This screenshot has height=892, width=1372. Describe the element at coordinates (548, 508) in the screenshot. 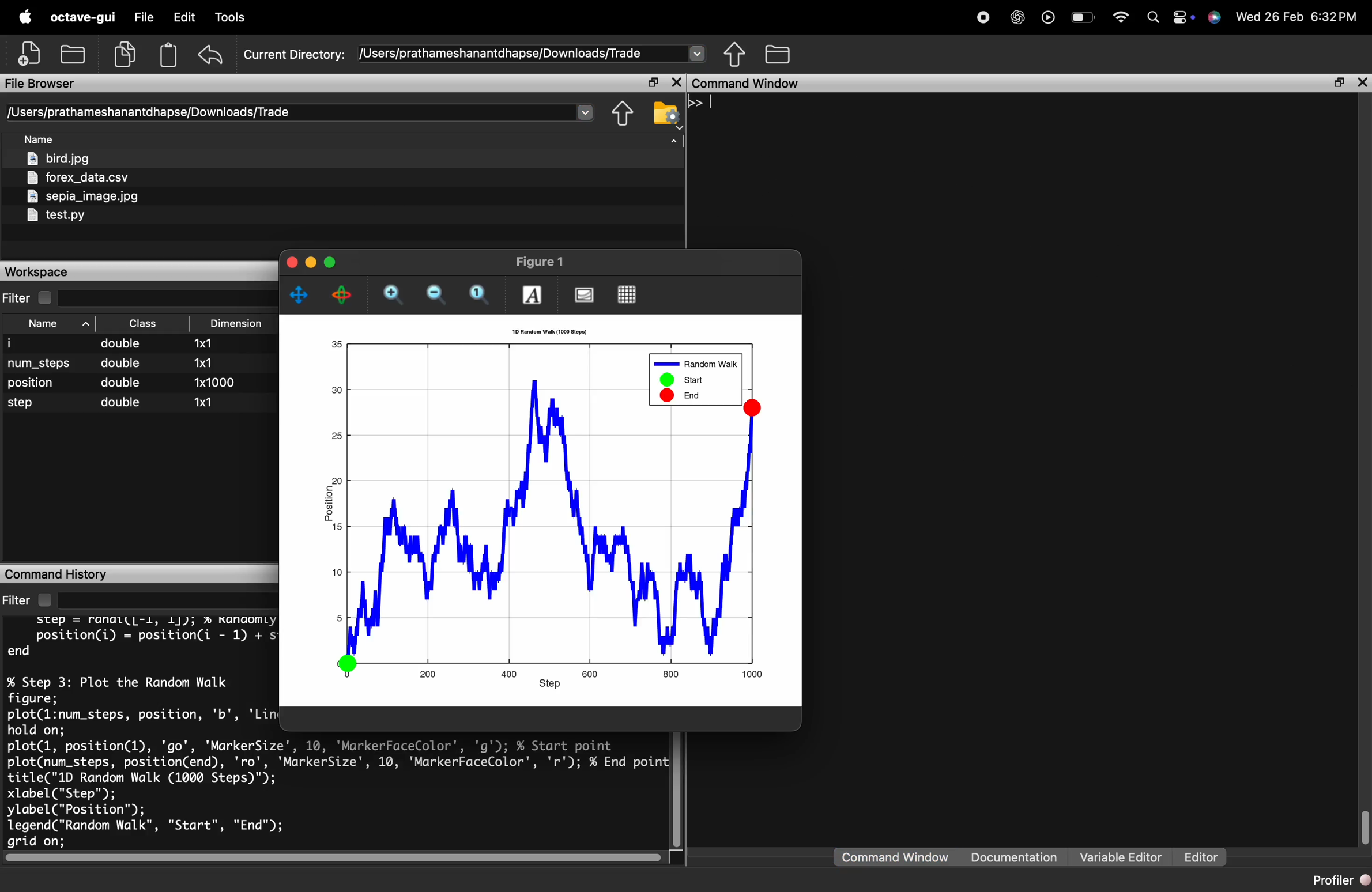

I see `graph chart` at that location.